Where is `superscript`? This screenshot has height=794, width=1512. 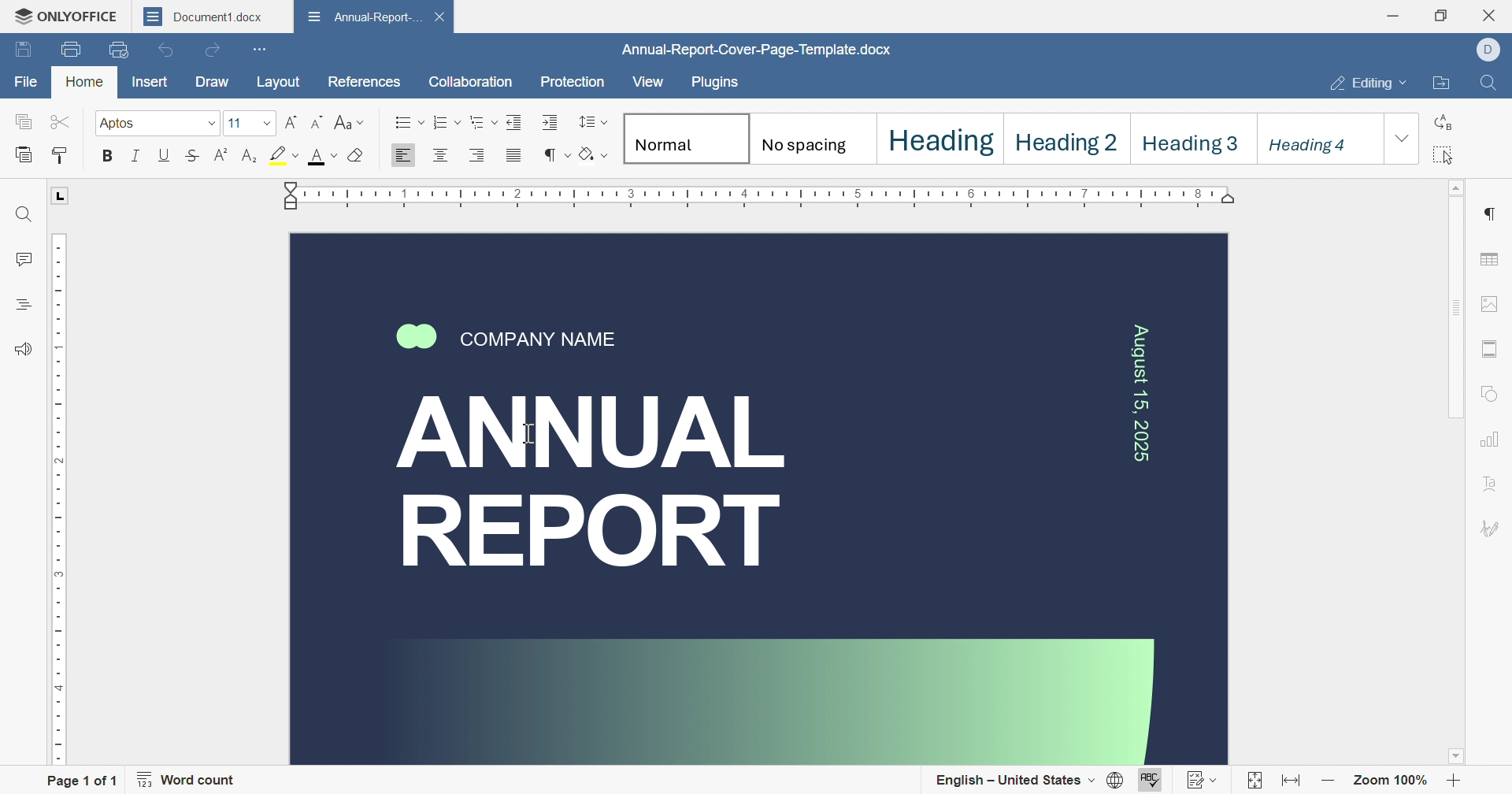 superscript is located at coordinates (224, 157).